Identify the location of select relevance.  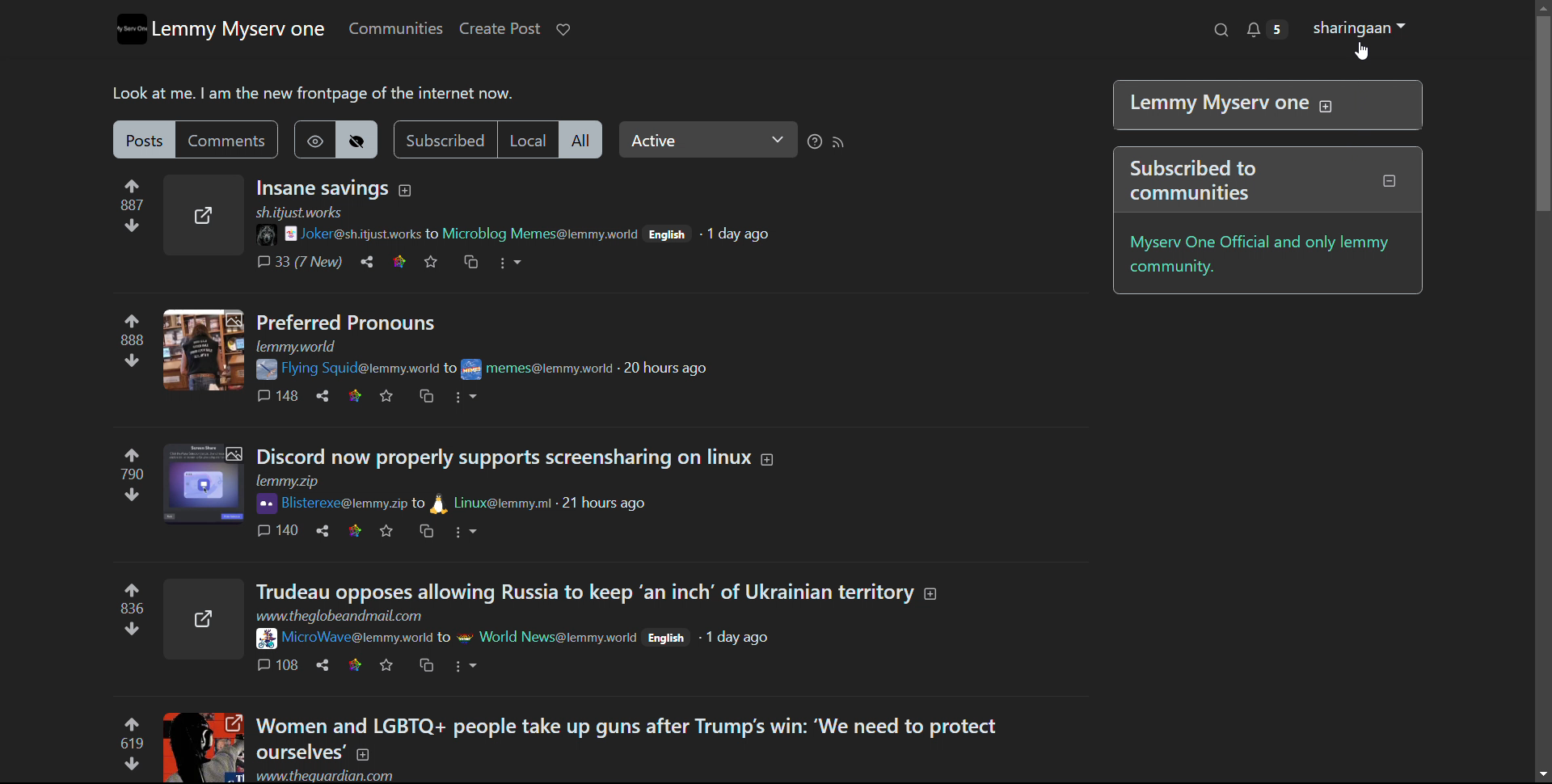
(708, 139).